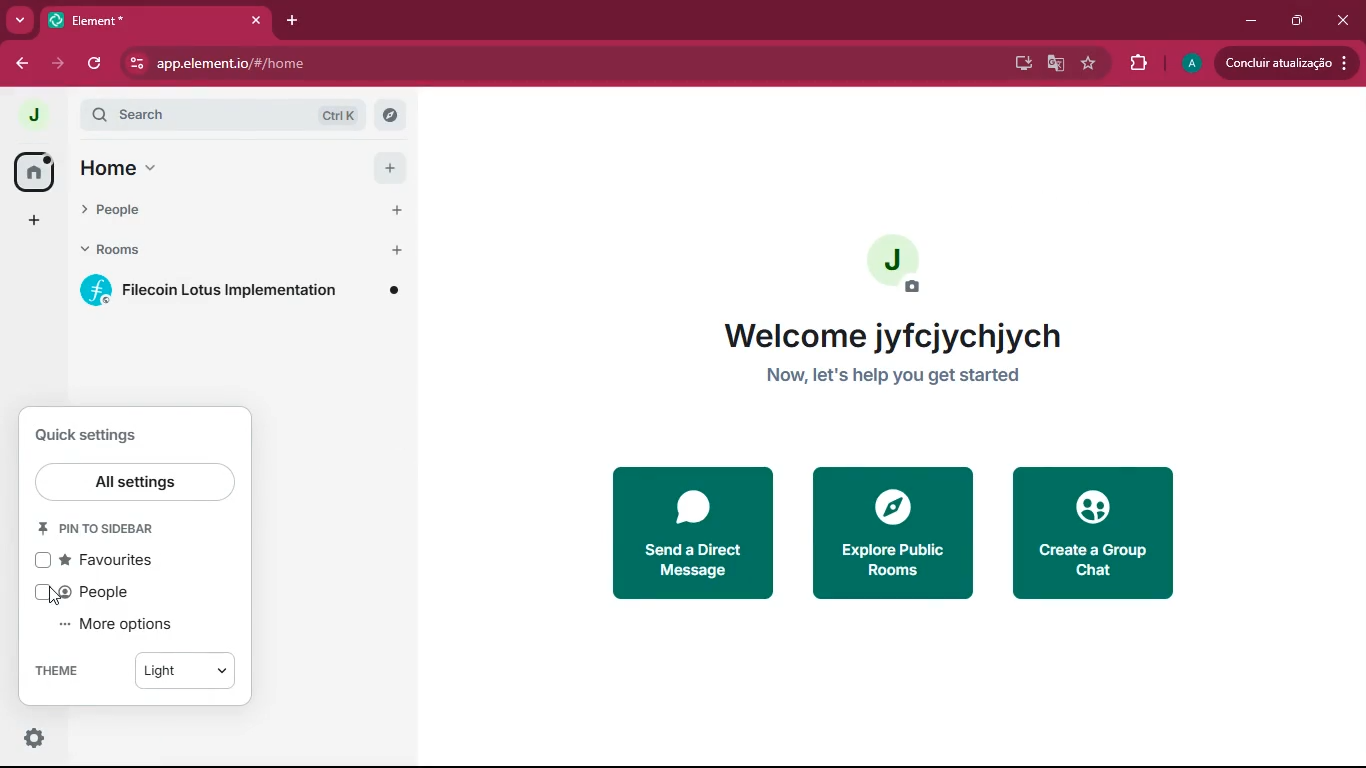 This screenshot has width=1366, height=768. What do you see at coordinates (1055, 64) in the screenshot?
I see `google translate` at bounding box center [1055, 64].